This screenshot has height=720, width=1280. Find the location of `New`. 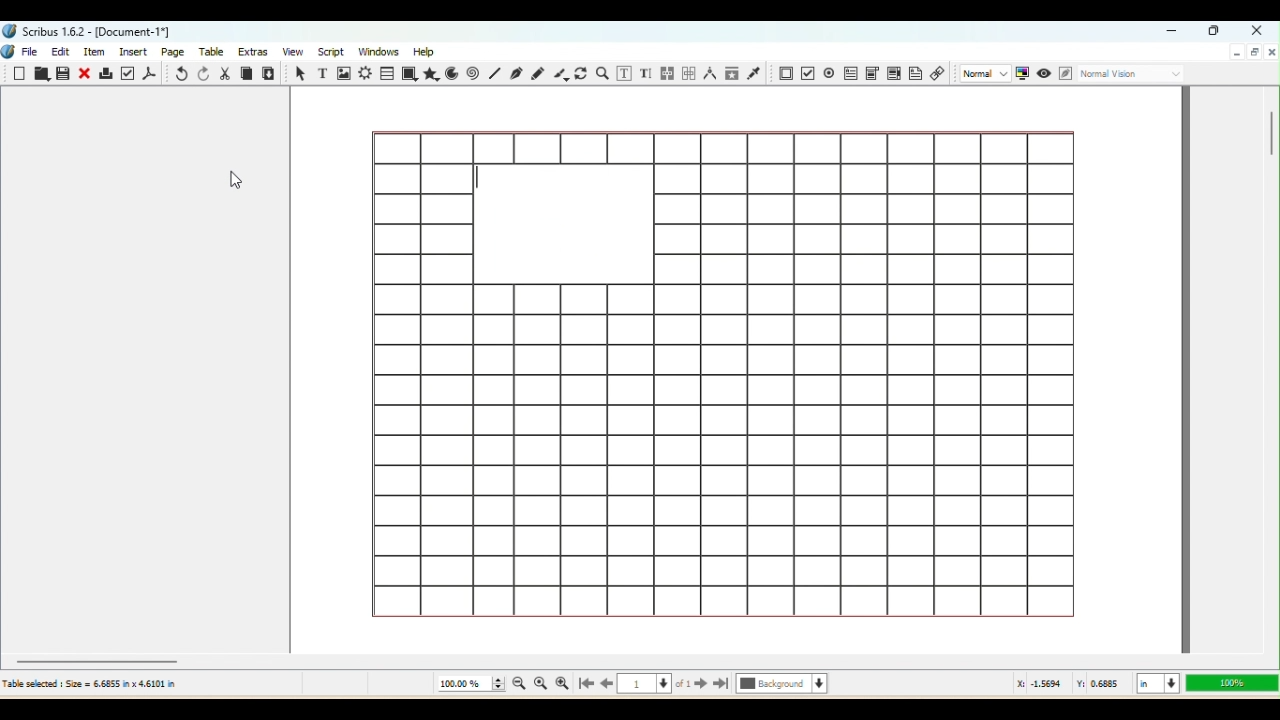

New is located at coordinates (21, 74).